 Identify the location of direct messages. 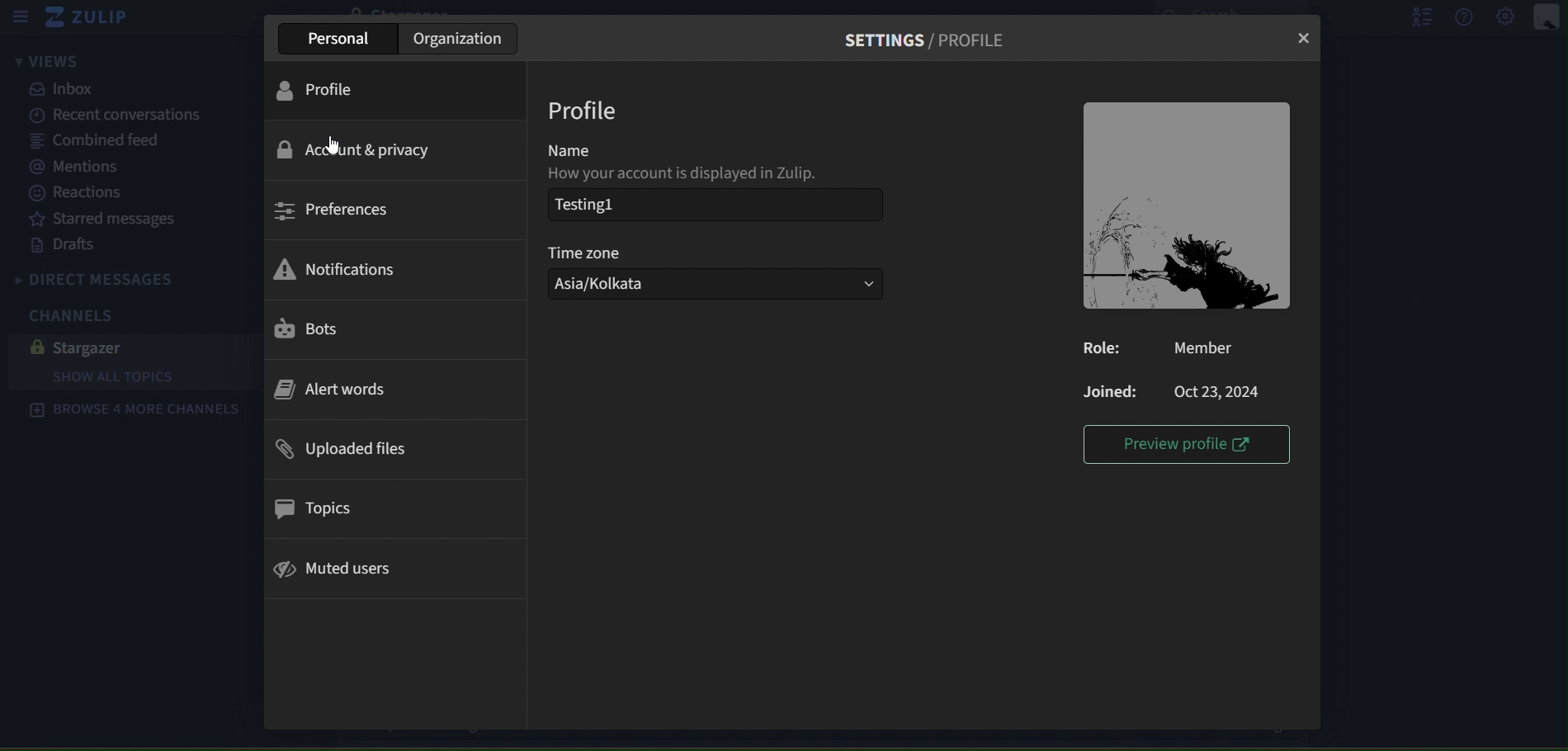
(129, 276).